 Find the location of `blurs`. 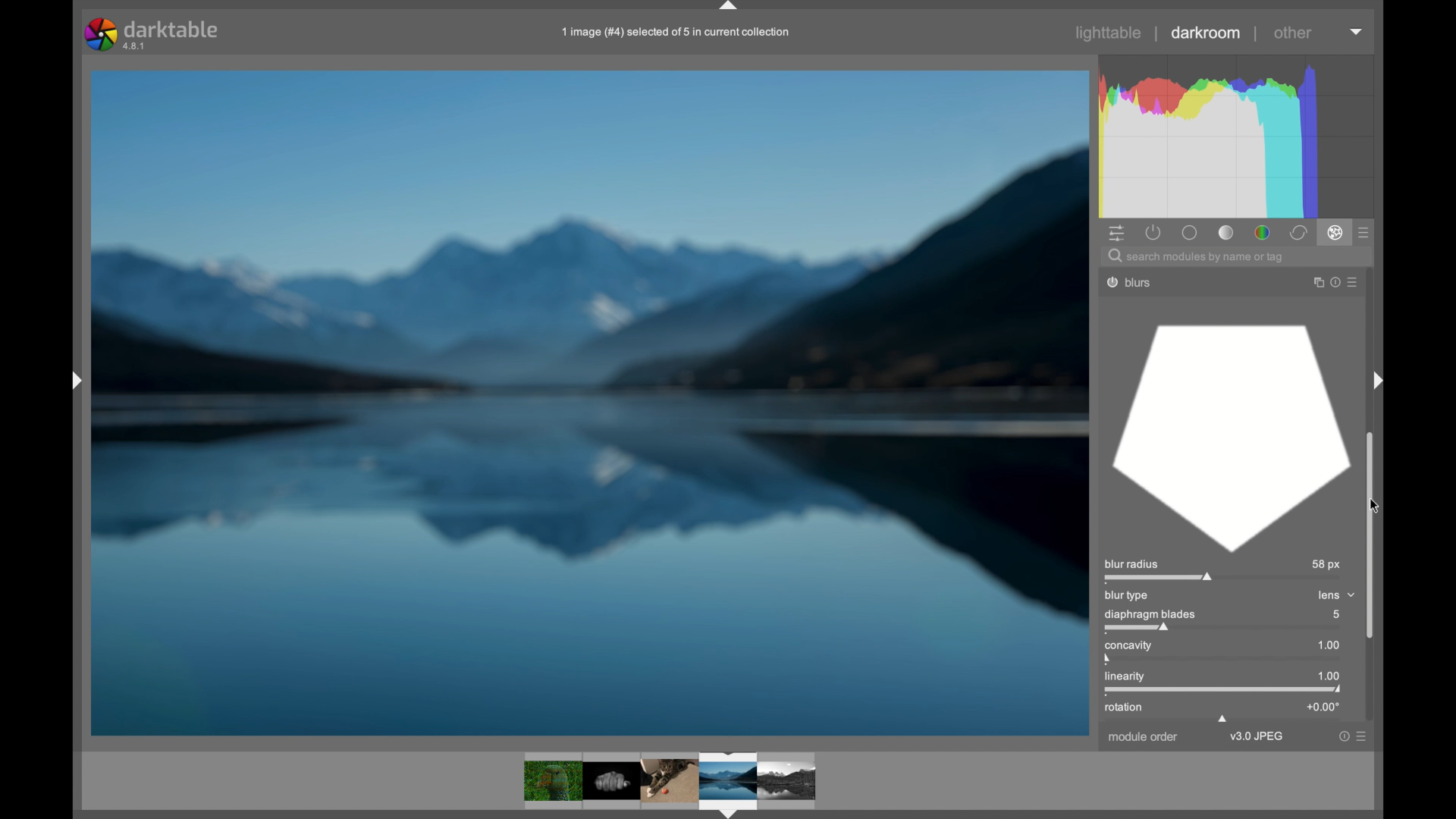

blurs is located at coordinates (1144, 282).